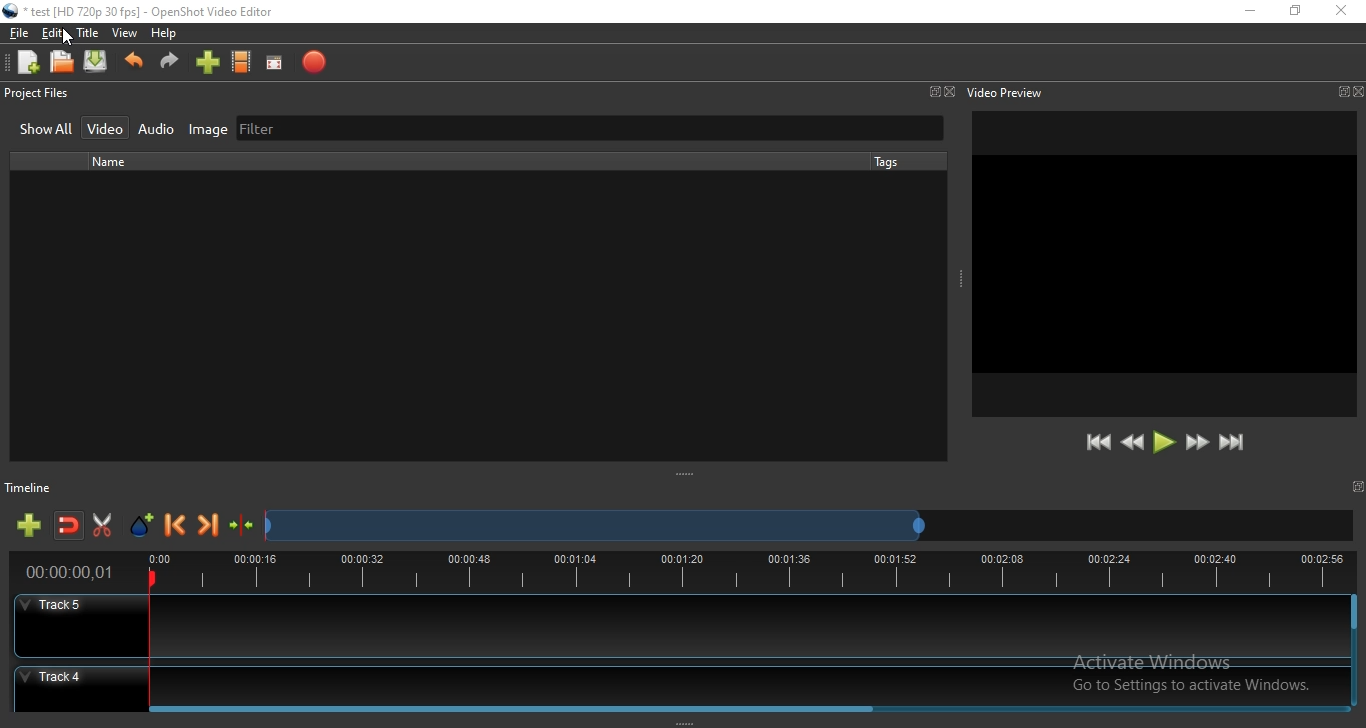 The width and height of the screenshot is (1366, 728). What do you see at coordinates (748, 706) in the screenshot?
I see `Horizontal Scroll bar` at bounding box center [748, 706].